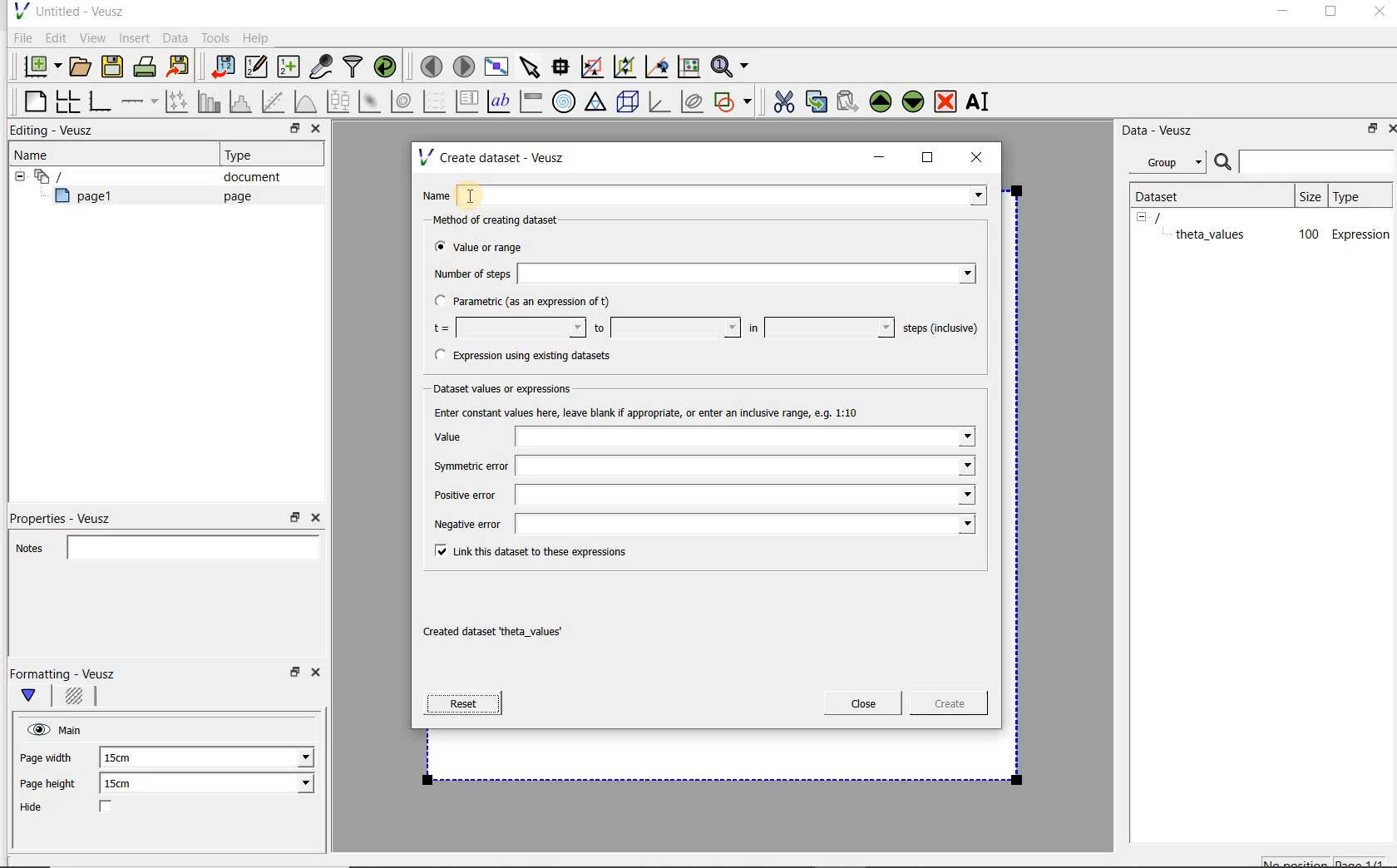 The image size is (1397, 868). What do you see at coordinates (67, 101) in the screenshot?
I see `arrange graphs in a grid` at bounding box center [67, 101].